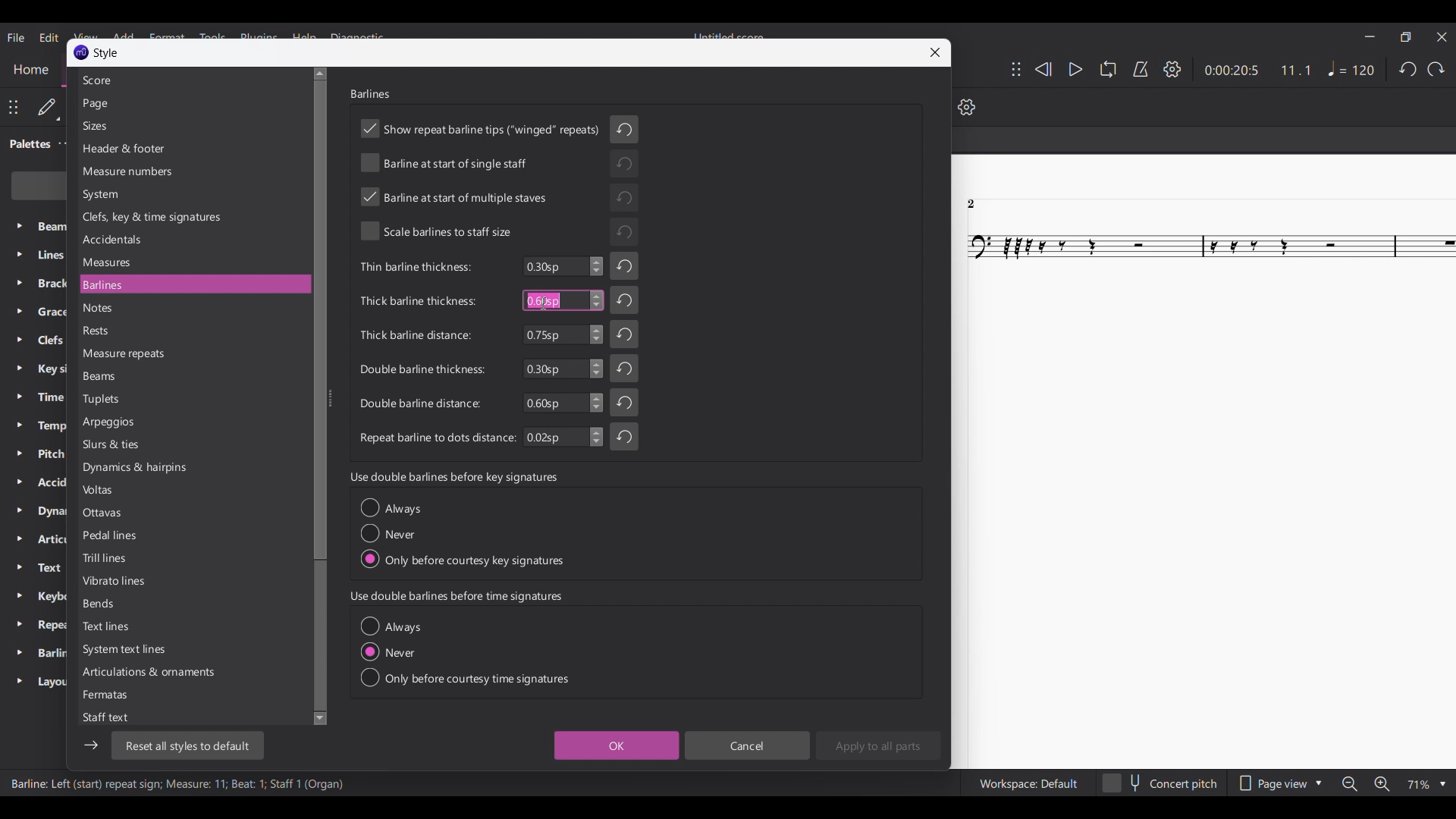  What do you see at coordinates (1173, 69) in the screenshot?
I see `Settings` at bounding box center [1173, 69].